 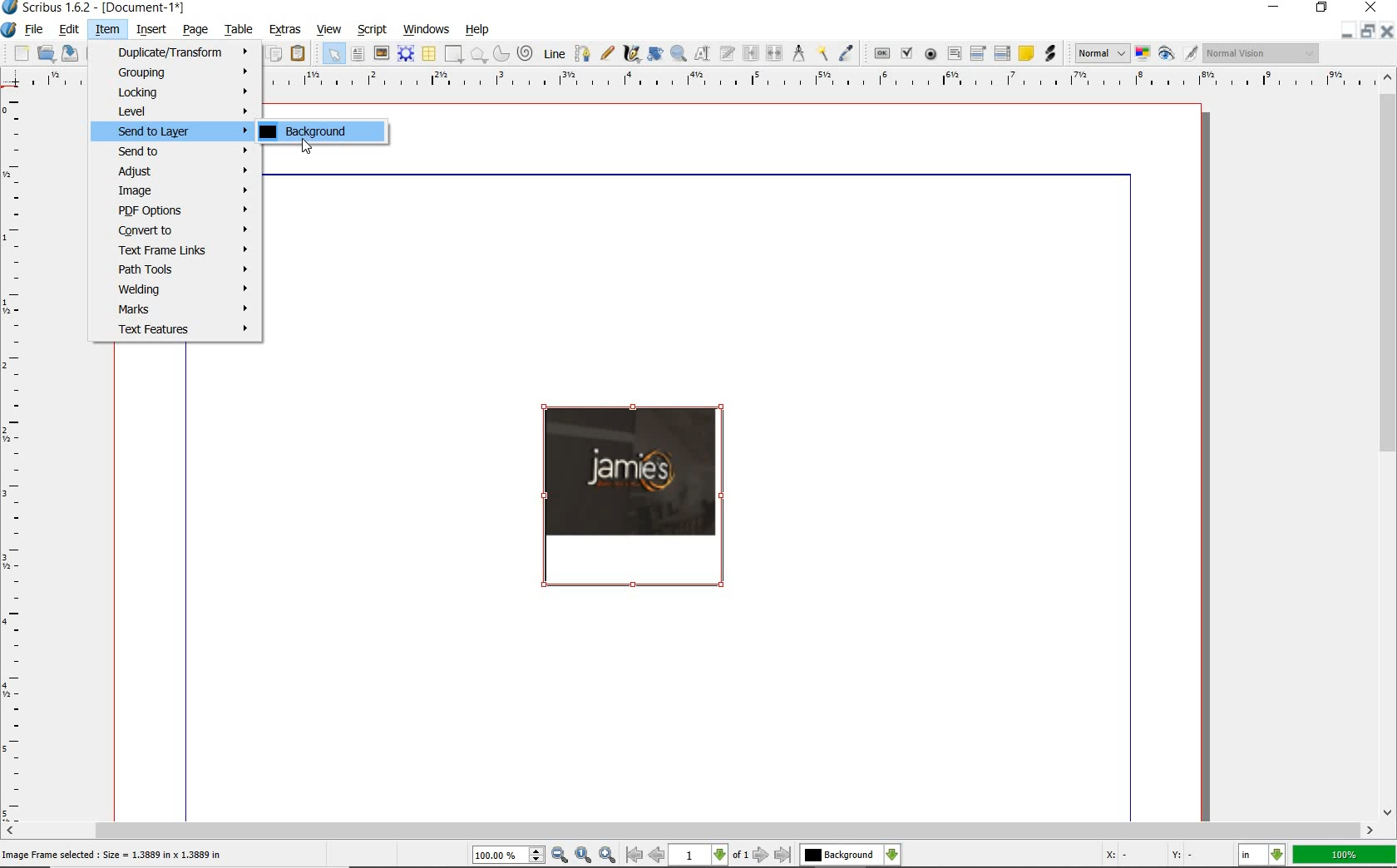 I want to click on Zoom 100.00%, so click(x=508, y=856).